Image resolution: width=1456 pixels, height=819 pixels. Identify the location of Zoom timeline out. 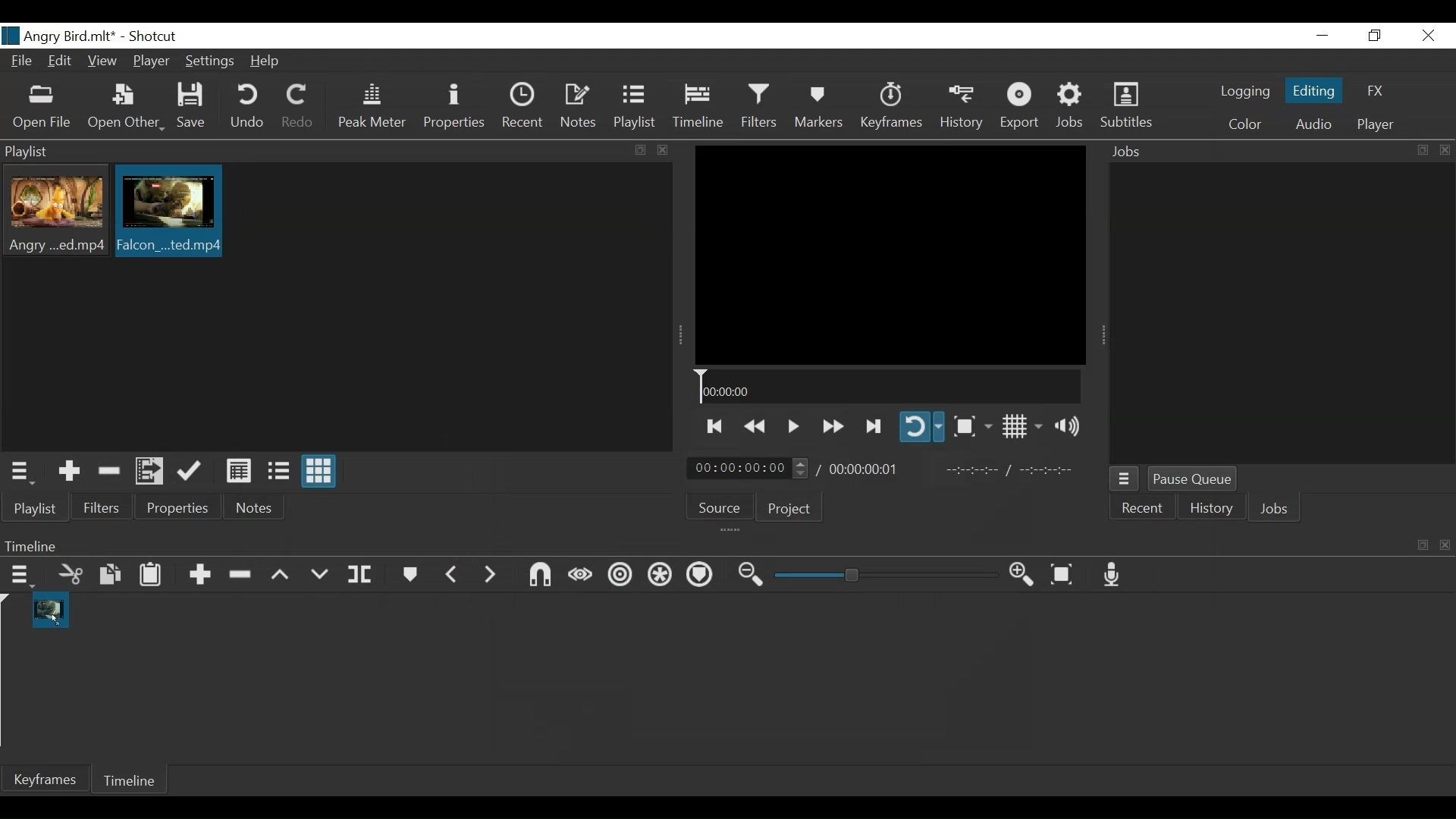
(753, 575).